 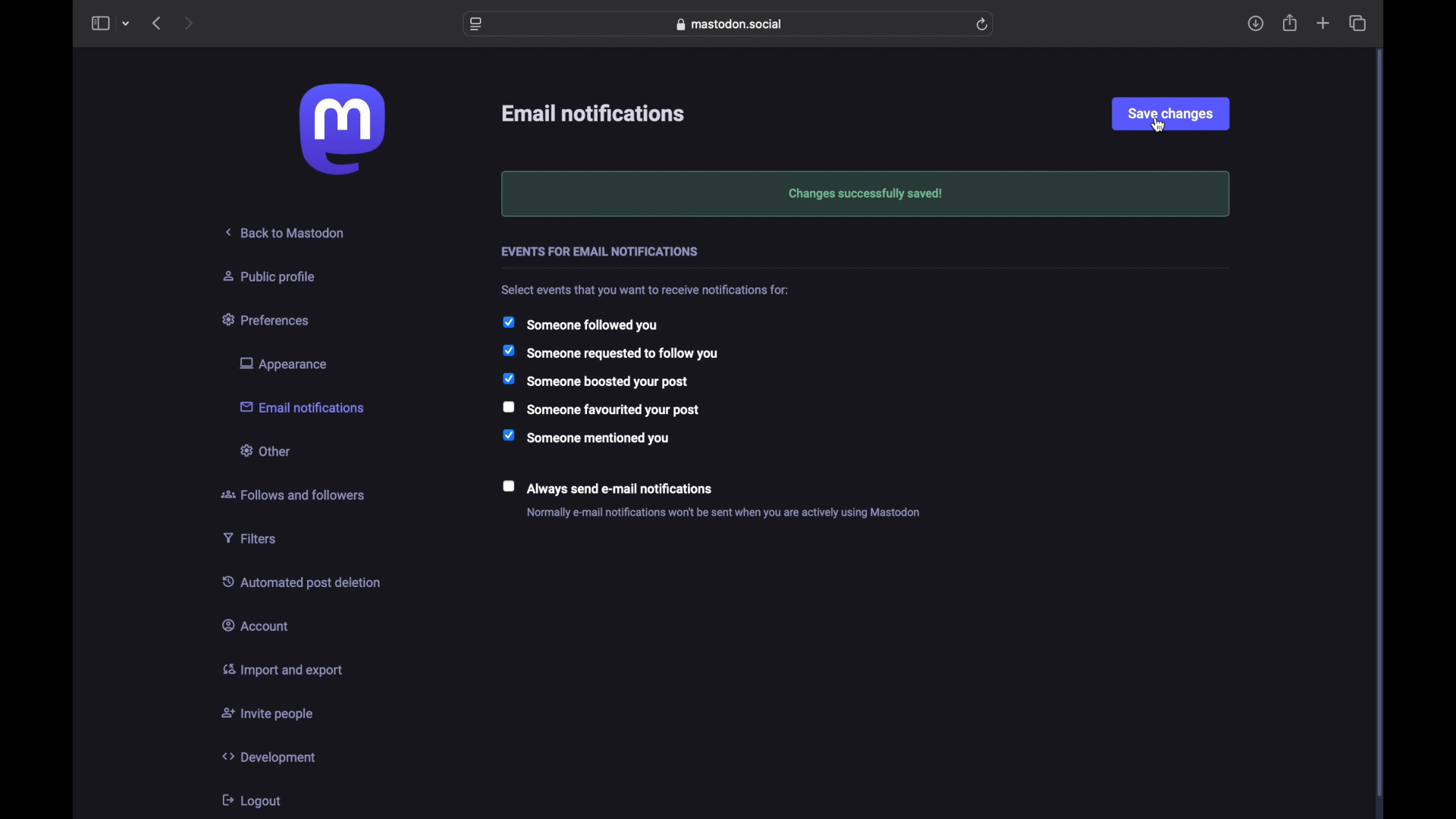 I want to click on web address, so click(x=730, y=24).